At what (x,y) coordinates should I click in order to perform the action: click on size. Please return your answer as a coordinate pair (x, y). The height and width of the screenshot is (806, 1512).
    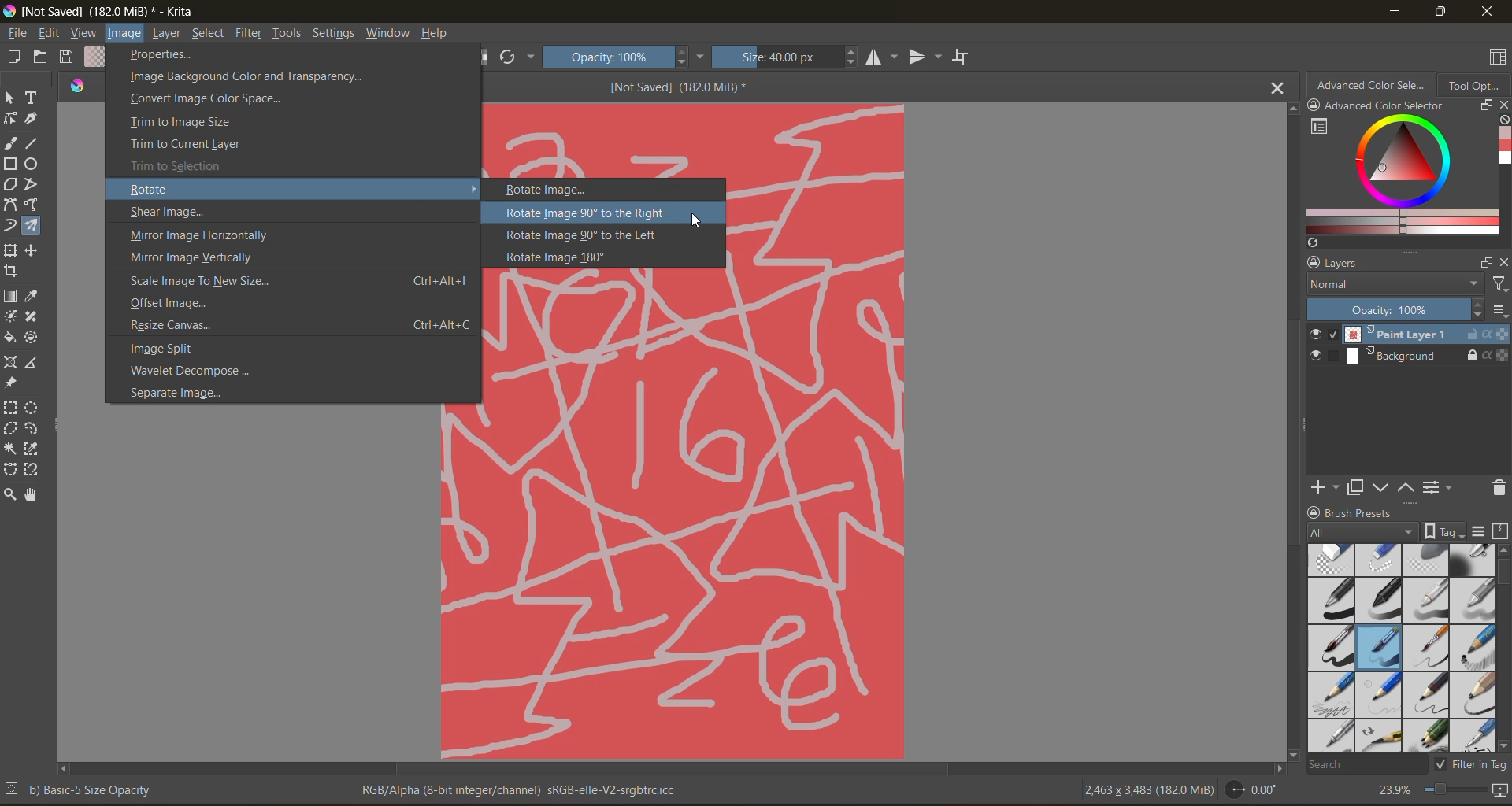
    Looking at the image, I should click on (791, 56).